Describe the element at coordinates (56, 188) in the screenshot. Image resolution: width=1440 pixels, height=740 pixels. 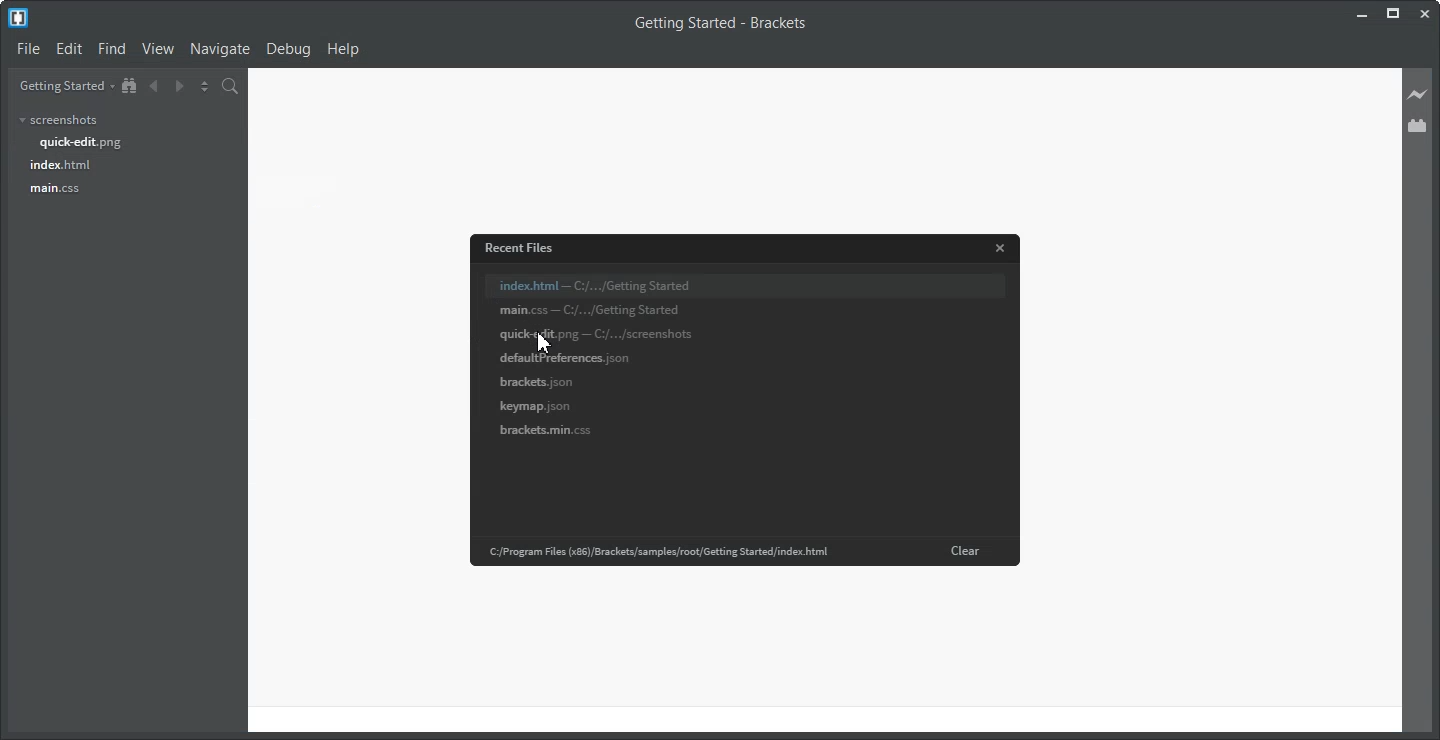
I see `main.css` at that location.